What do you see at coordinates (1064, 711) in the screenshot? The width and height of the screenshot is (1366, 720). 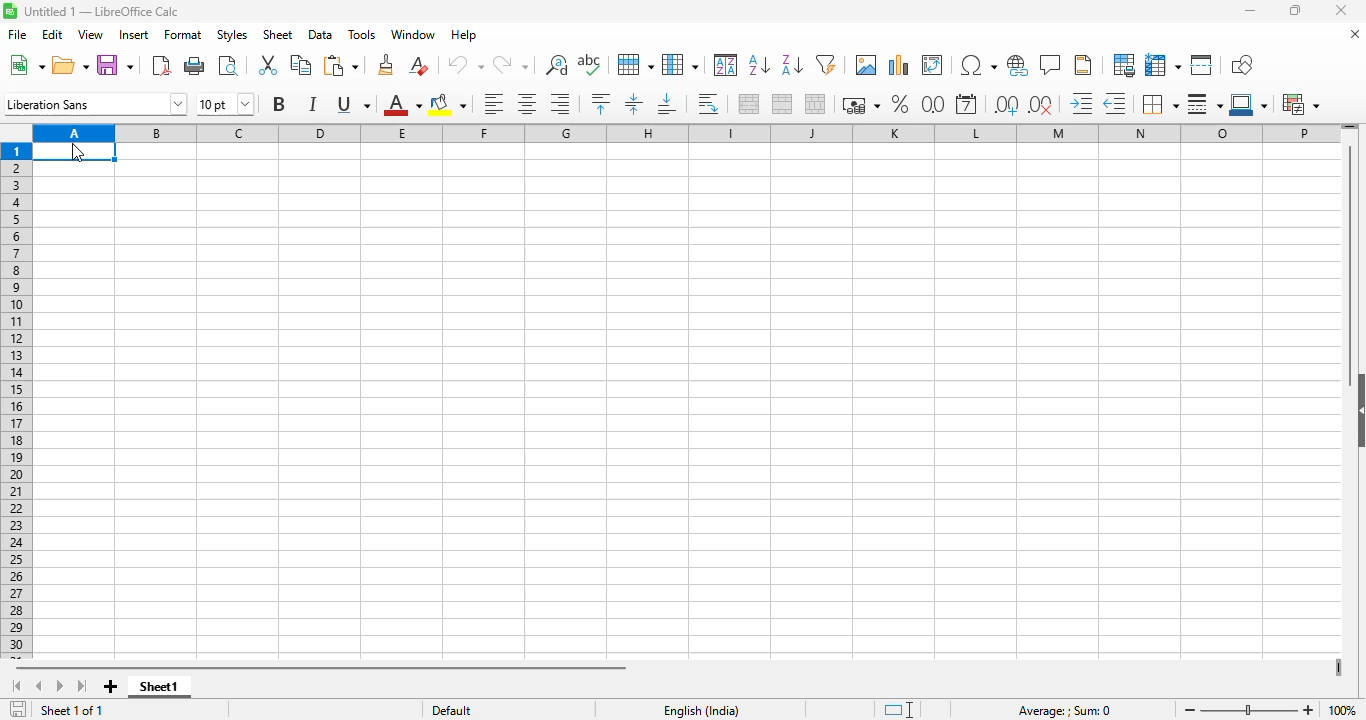 I see `formula` at bounding box center [1064, 711].